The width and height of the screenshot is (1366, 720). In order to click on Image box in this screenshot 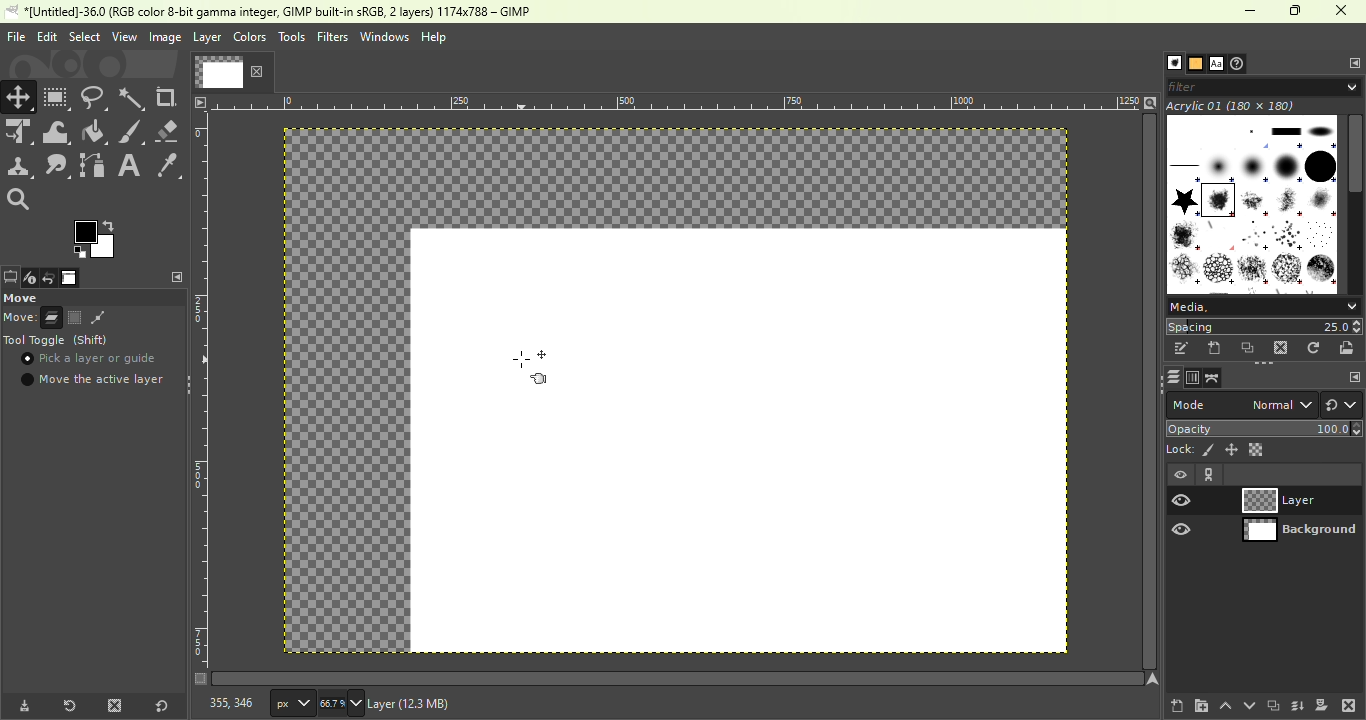, I will do `click(1252, 199)`.